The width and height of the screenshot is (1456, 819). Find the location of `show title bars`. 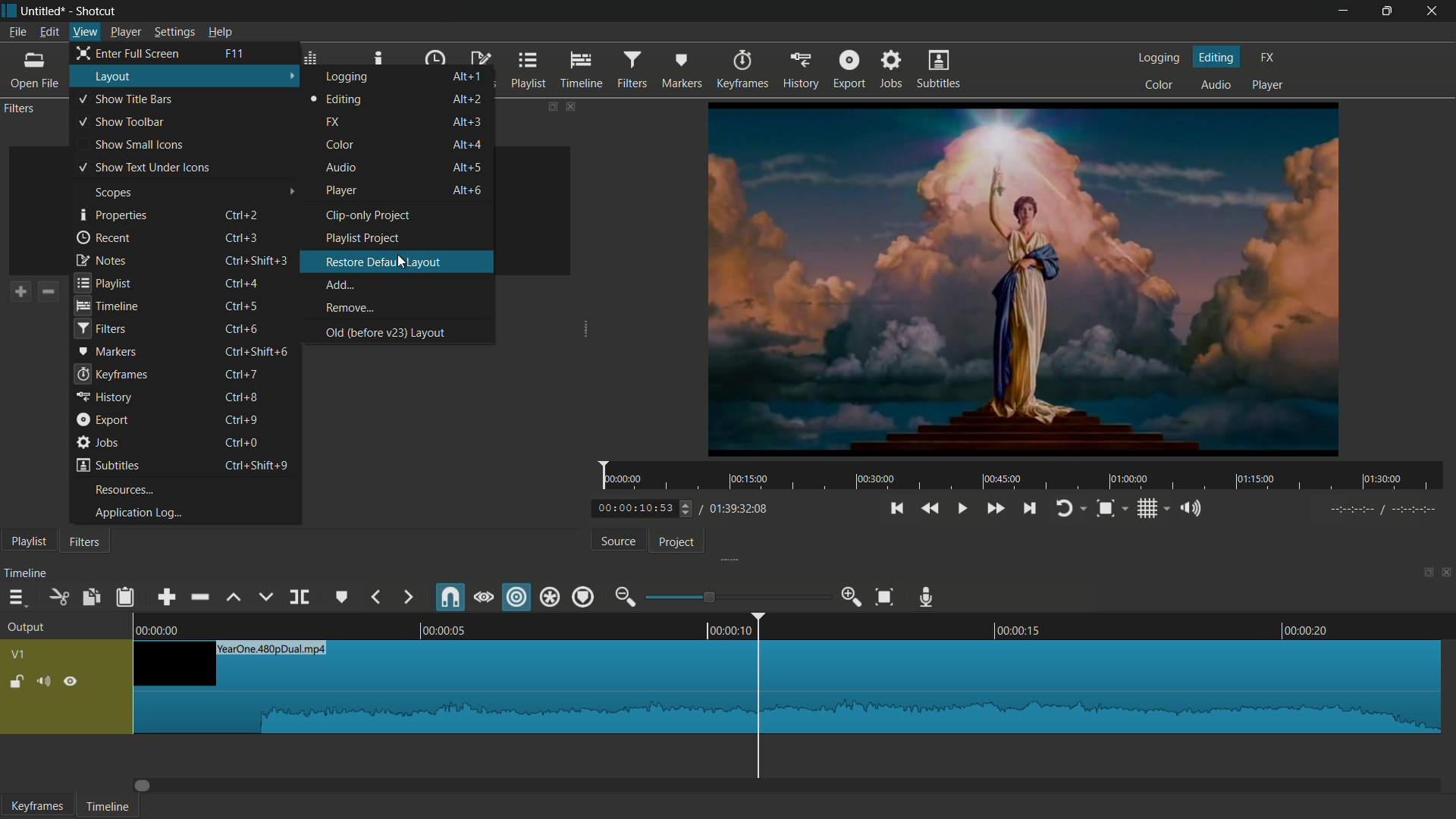

show title bars is located at coordinates (125, 98).